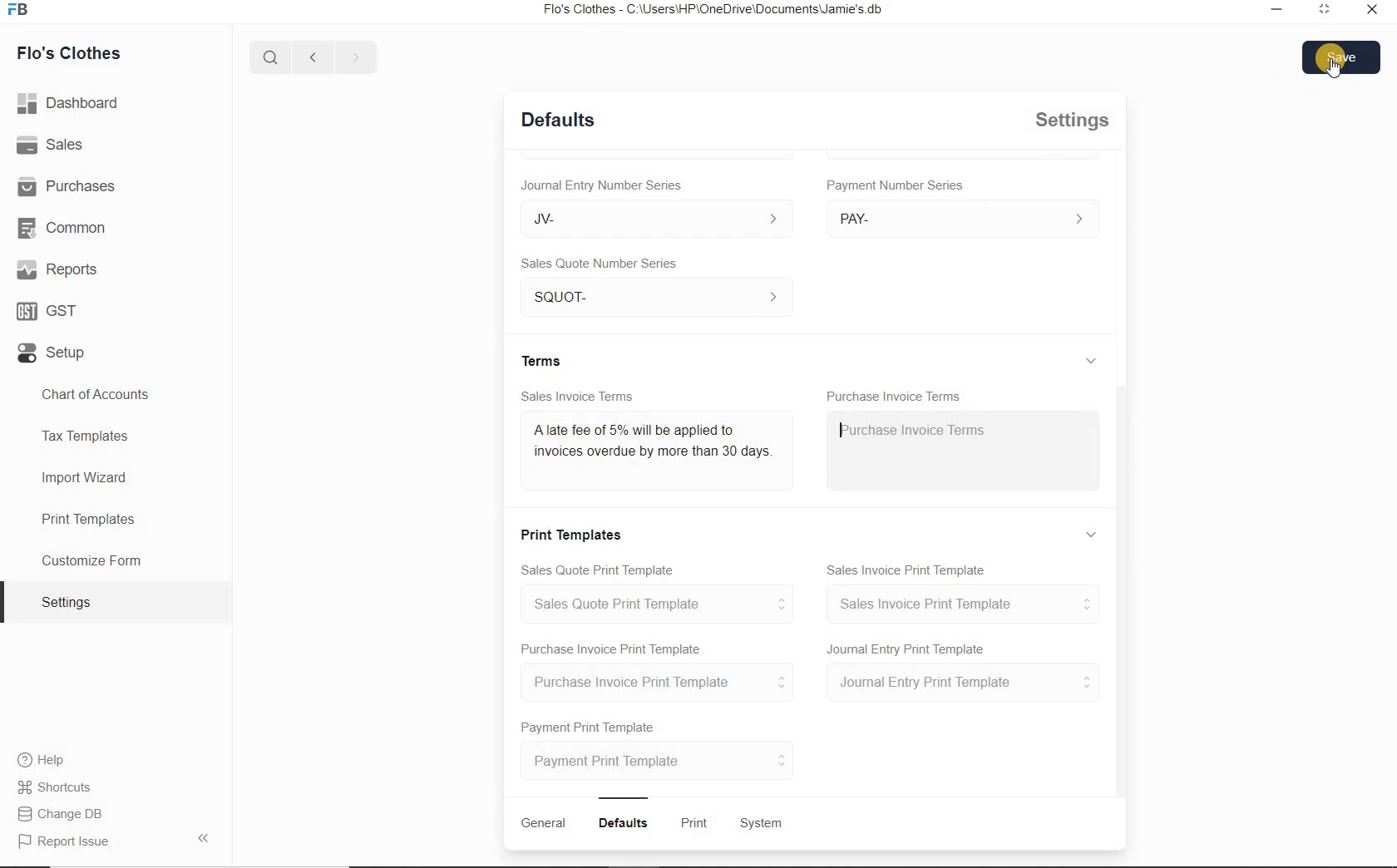  Describe the element at coordinates (91, 561) in the screenshot. I see `Customize Form` at that location.